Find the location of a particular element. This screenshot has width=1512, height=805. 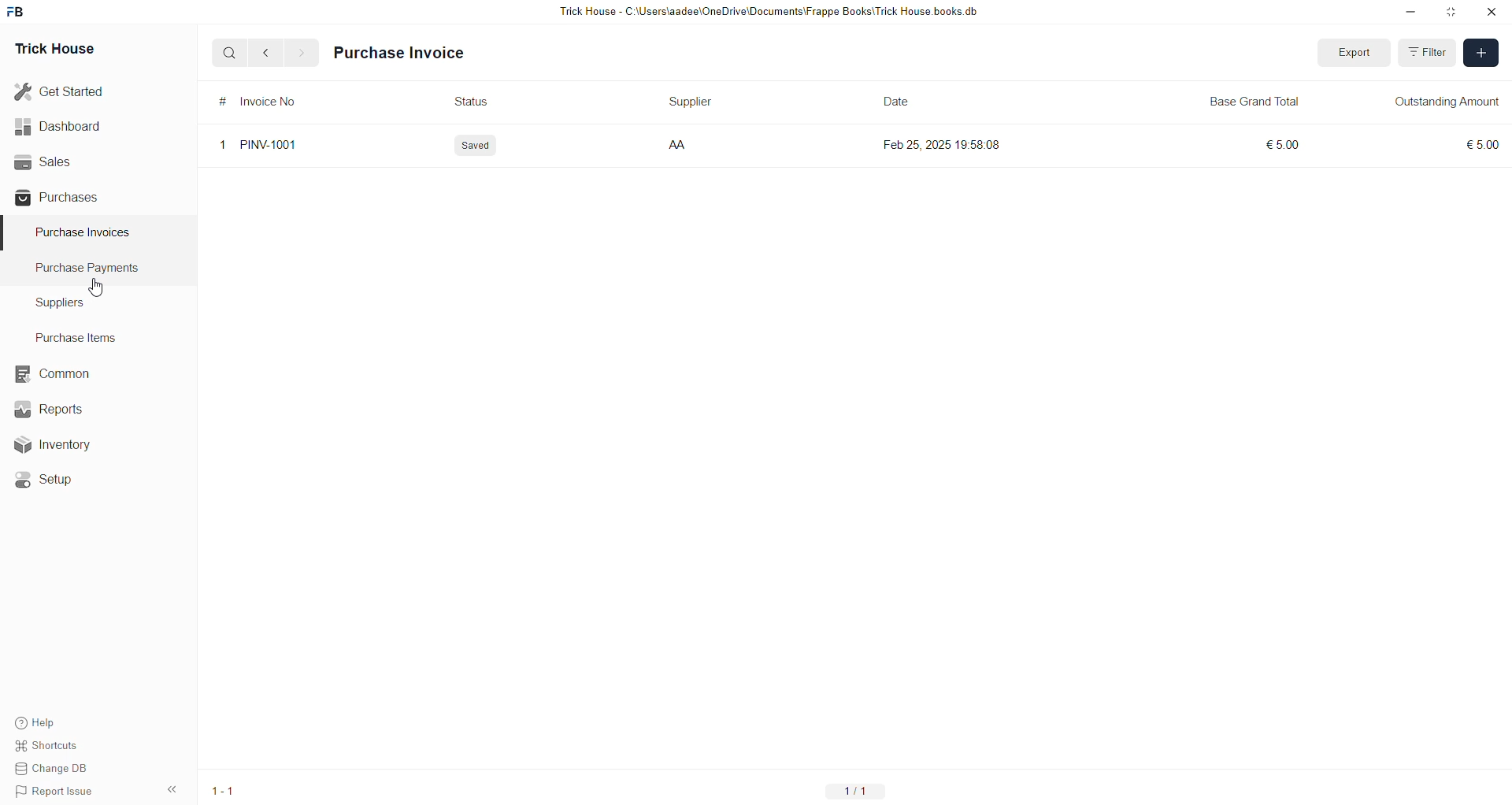

Purchases is located at coordinates (60, 199).